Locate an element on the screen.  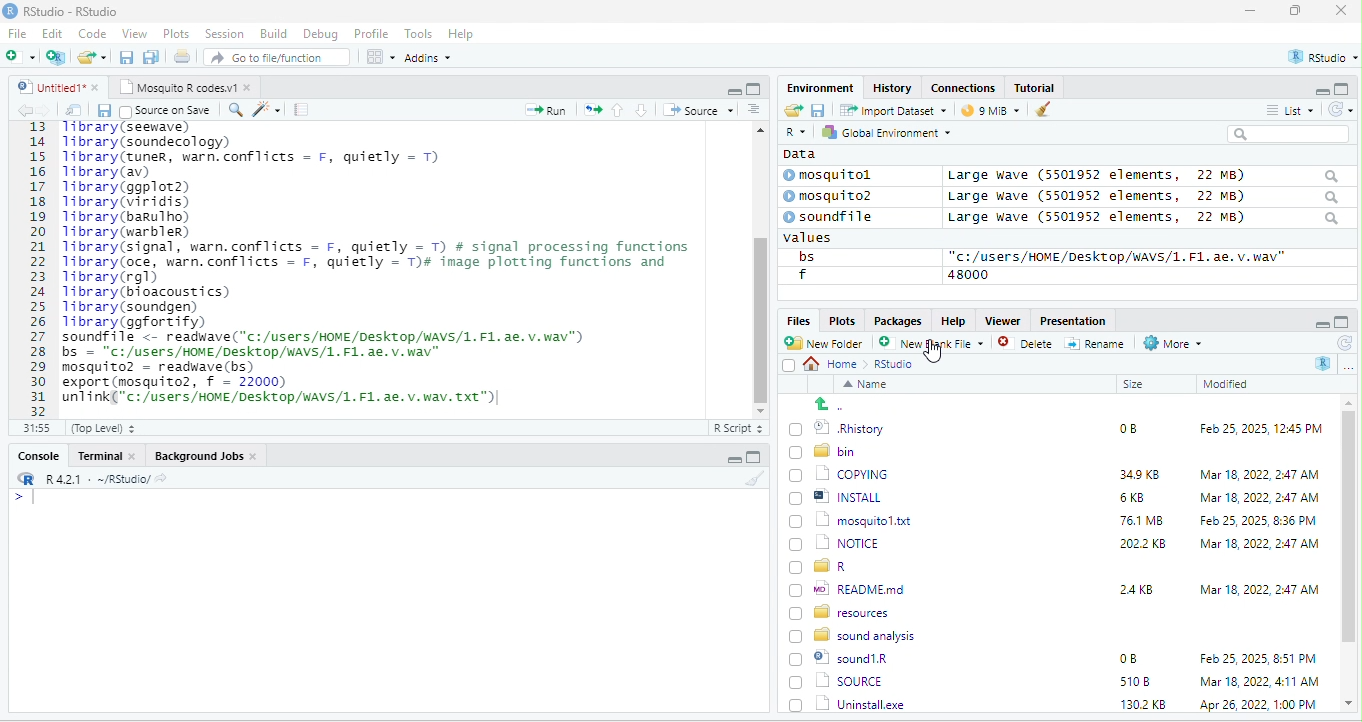
save is located at coordinates (128, 58).